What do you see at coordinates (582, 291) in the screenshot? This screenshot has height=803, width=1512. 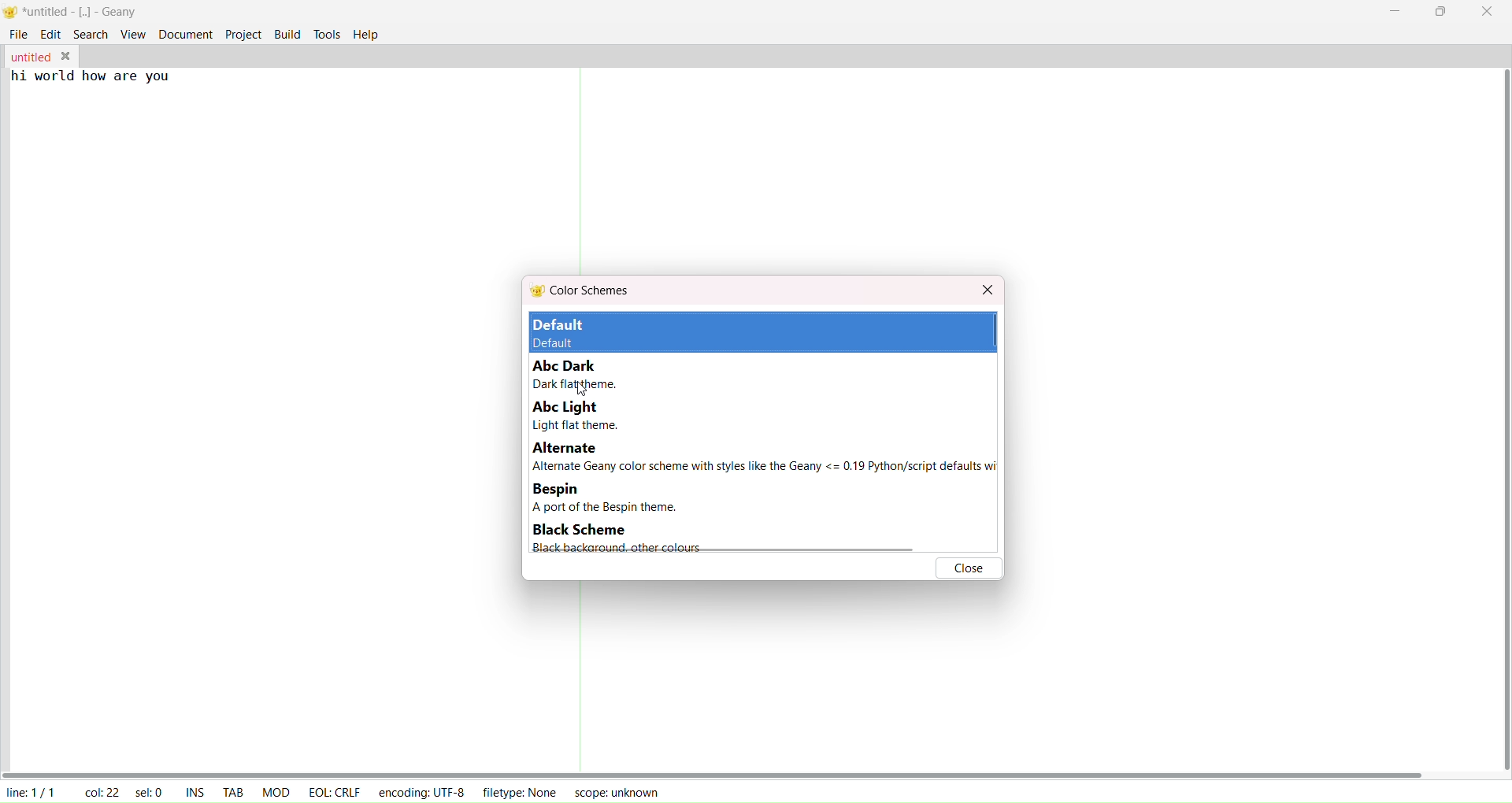 I see `color schemes` at bounding box center [582, 291].